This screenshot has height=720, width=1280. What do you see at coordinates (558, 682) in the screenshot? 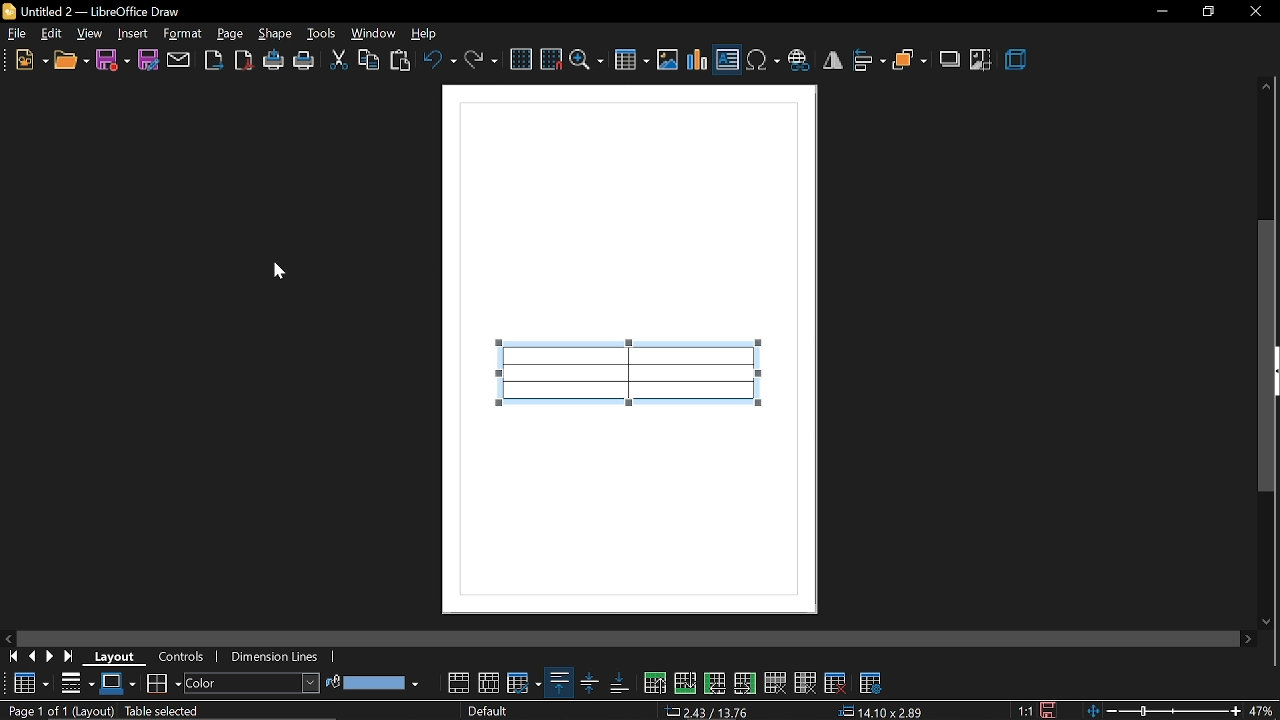
I see `align top` at bounding box center [558, 682].